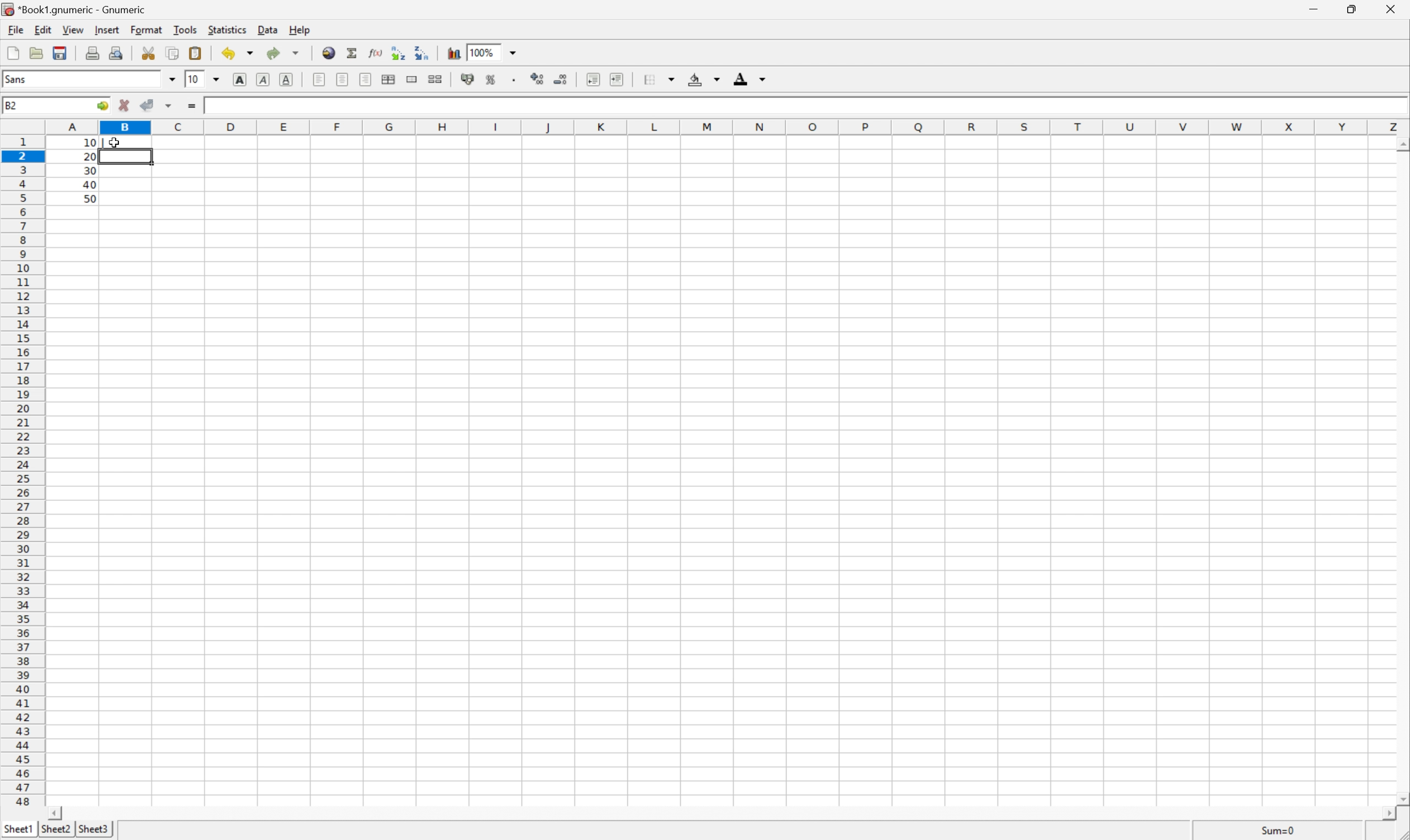 The width and height of the screenshot is (1410, 840). I want to click on Accept changes, so click(148, 105).